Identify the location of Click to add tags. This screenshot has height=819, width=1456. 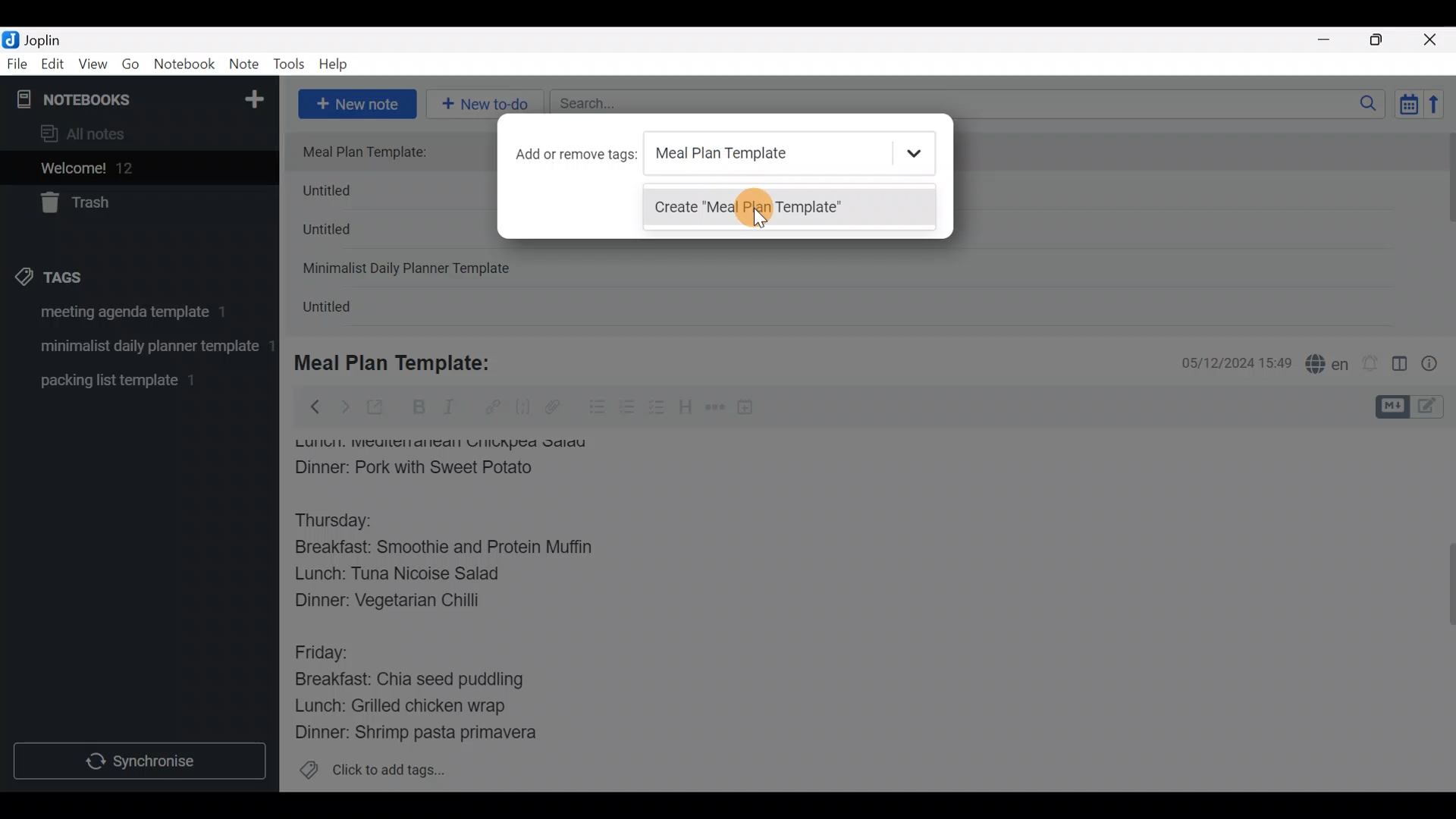
(372, 775).